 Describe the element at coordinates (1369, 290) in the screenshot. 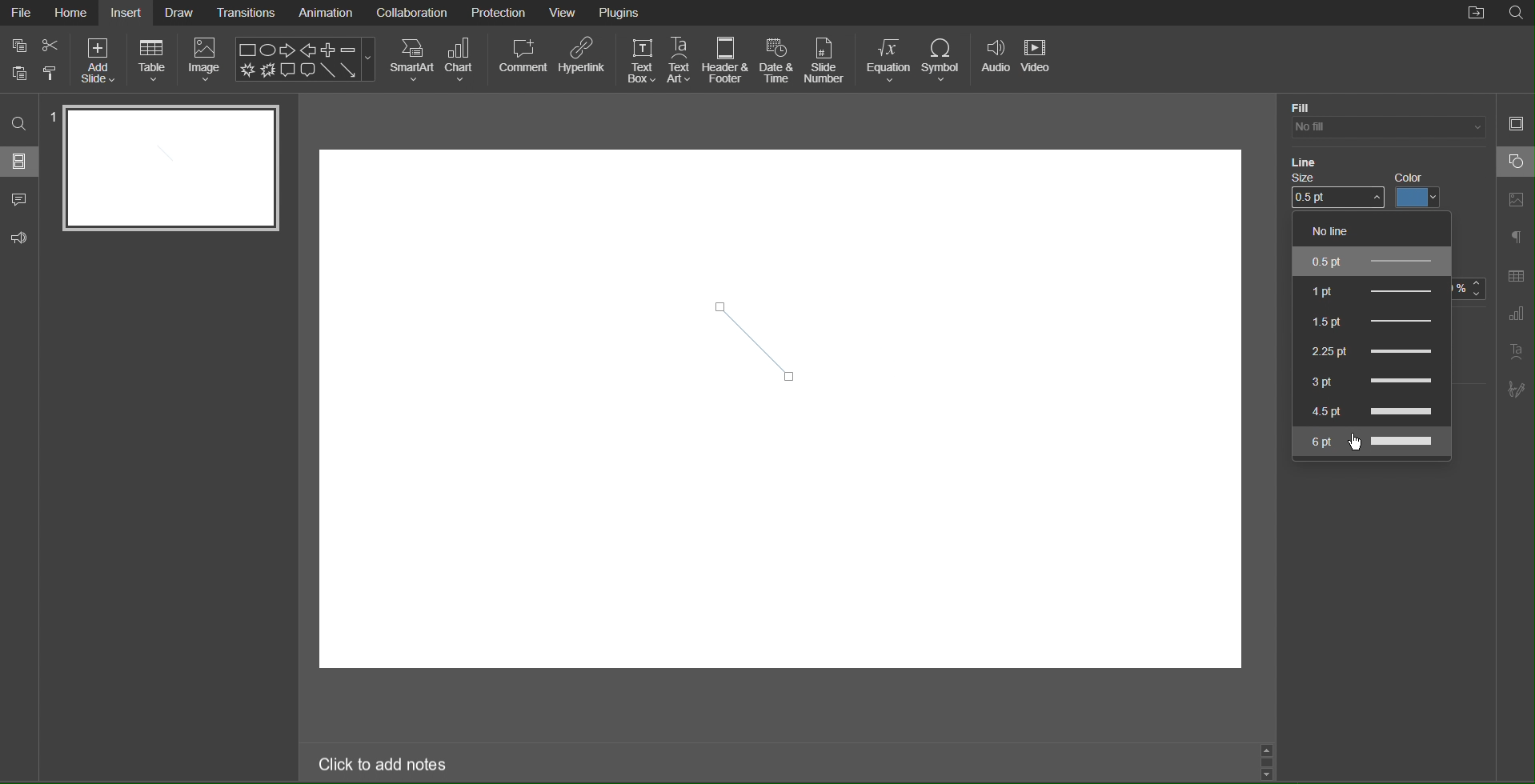

I see `1 pt` at that location.